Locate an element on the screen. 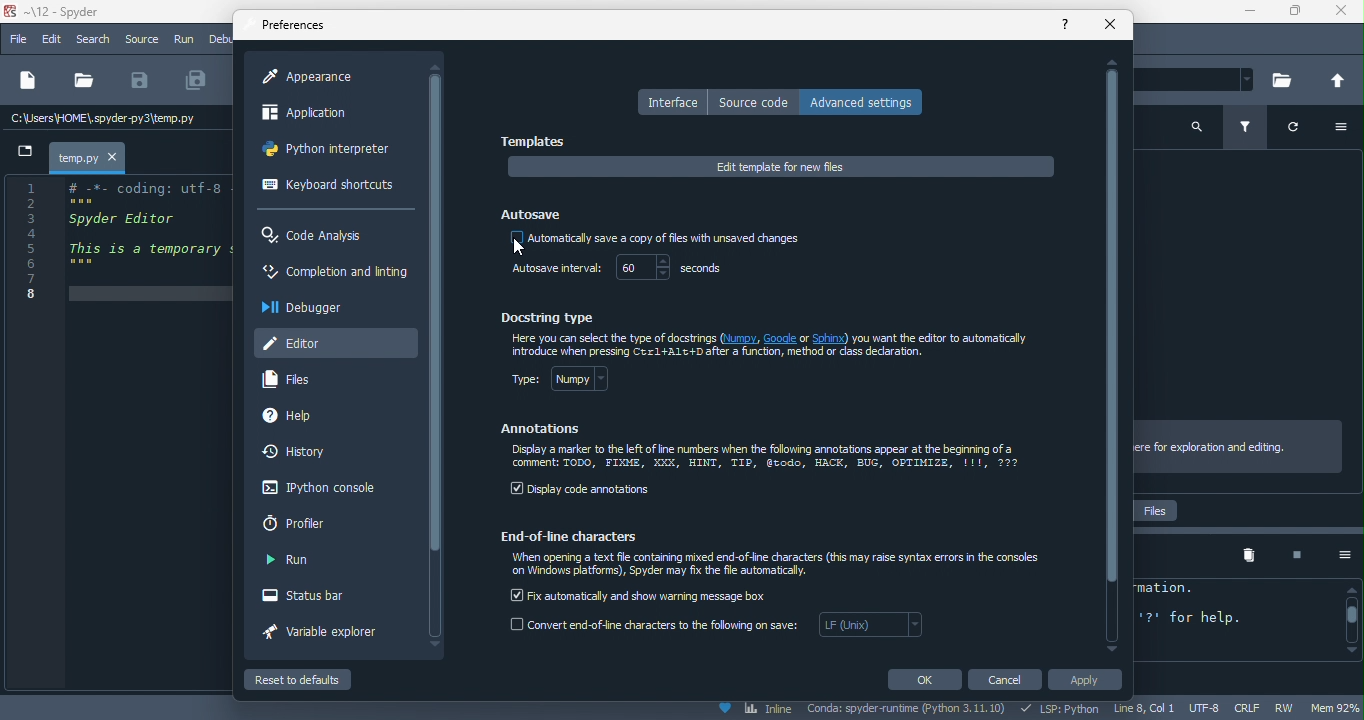  text of end of line characters is located at coordinates (780, 566).